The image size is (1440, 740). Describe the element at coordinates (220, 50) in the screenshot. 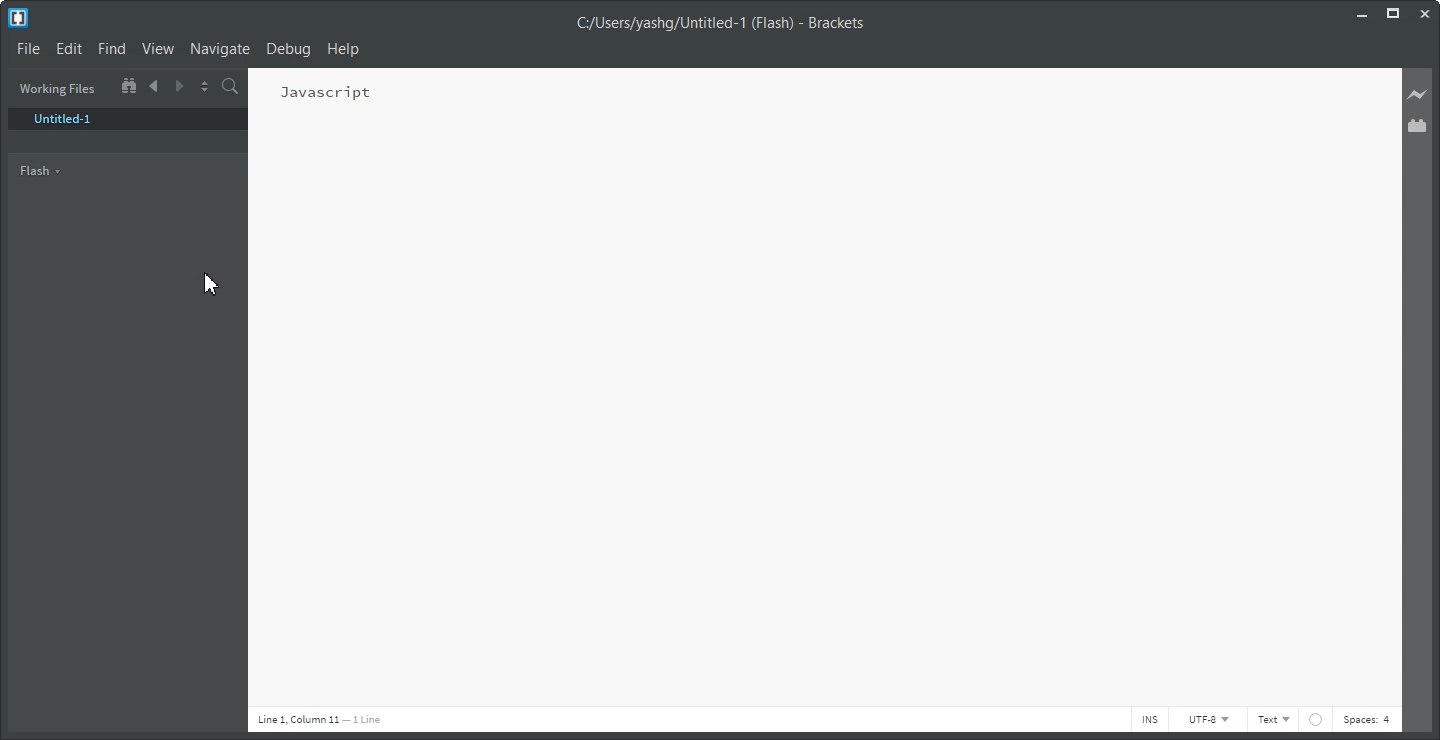

I see `Navigate` at that location.